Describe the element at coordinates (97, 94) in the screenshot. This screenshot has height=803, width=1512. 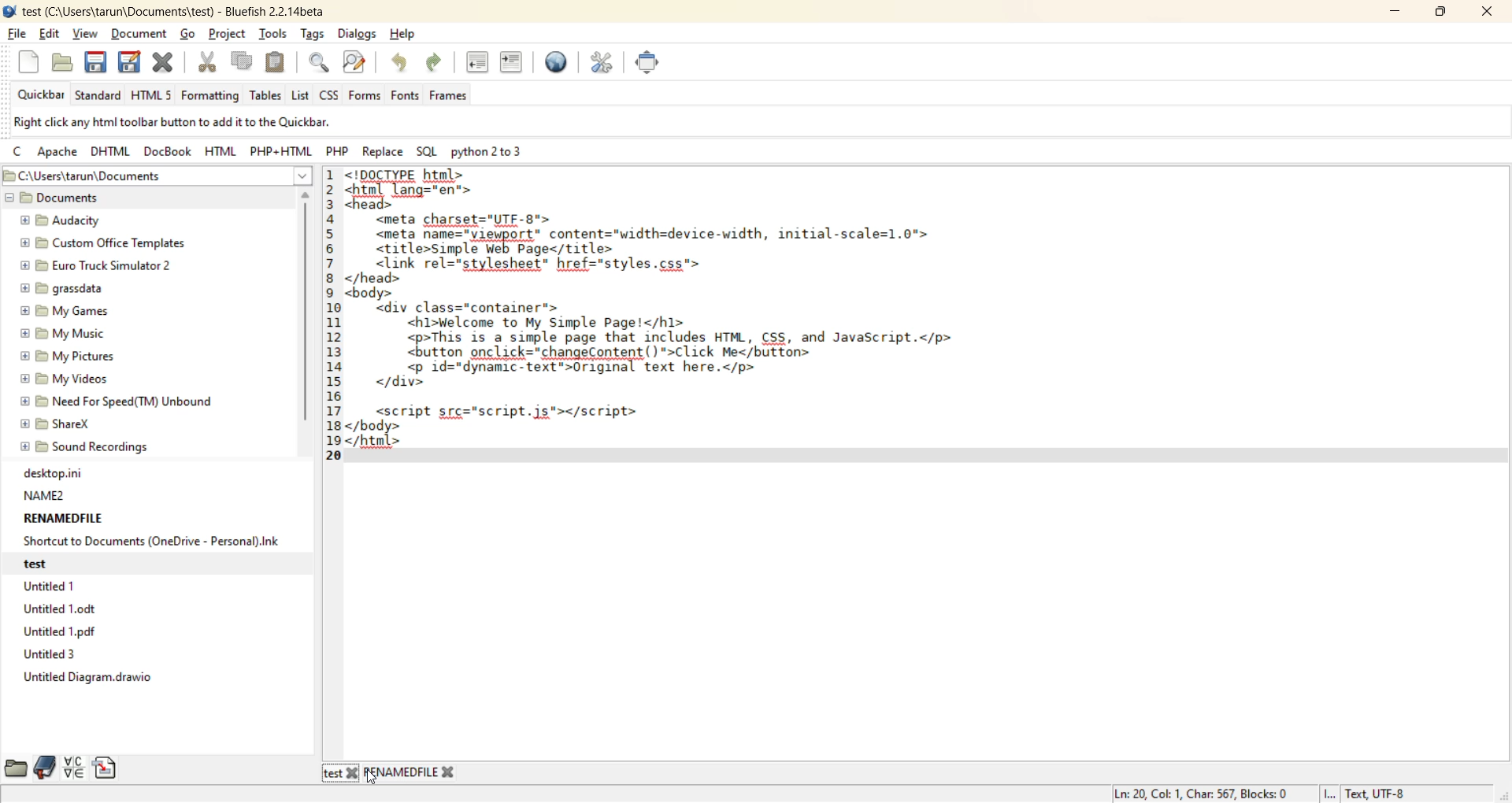
I see `standard` at that location.